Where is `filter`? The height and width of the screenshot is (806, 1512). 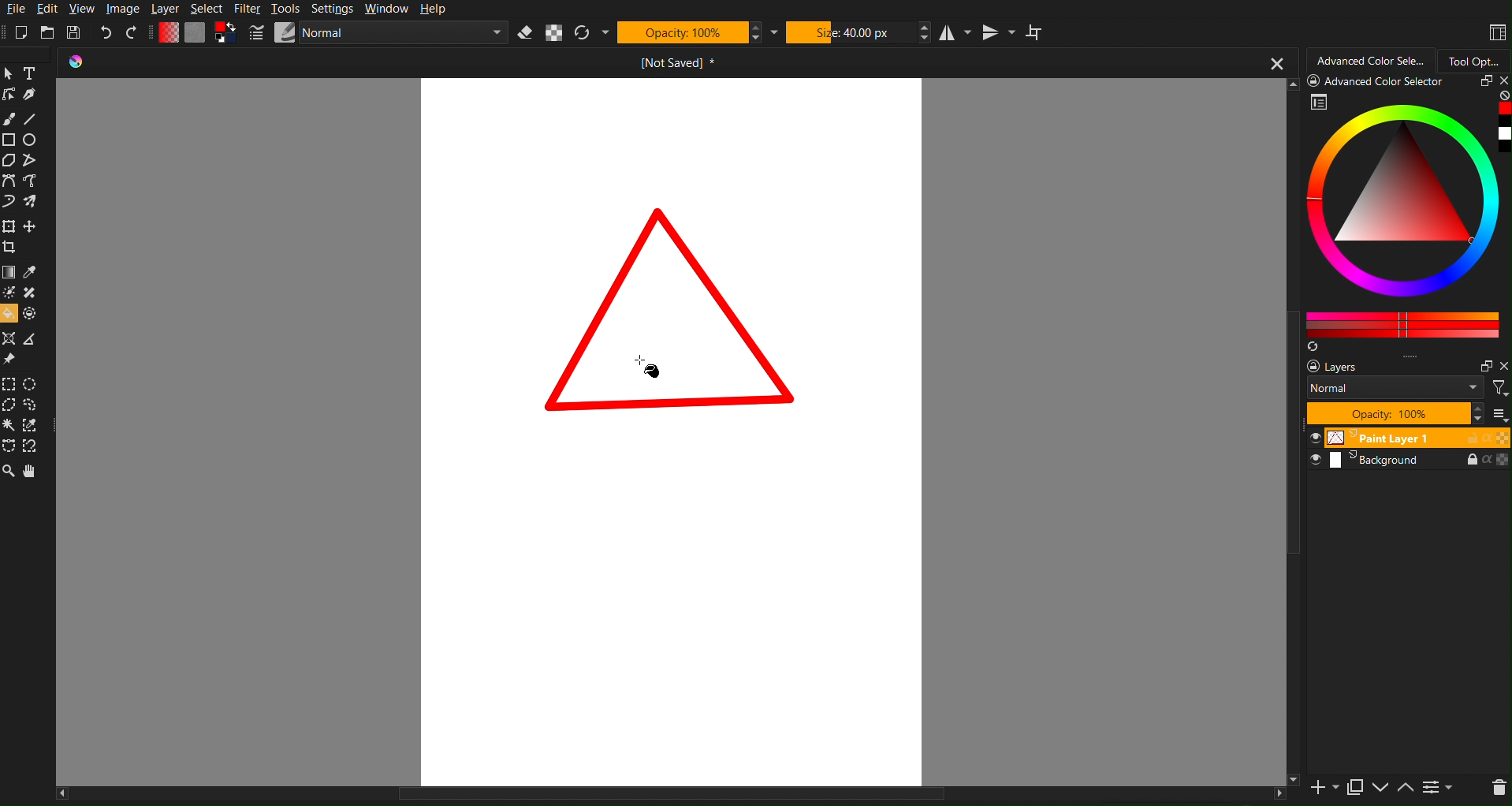
filter is located at coordinates (1500, 388).